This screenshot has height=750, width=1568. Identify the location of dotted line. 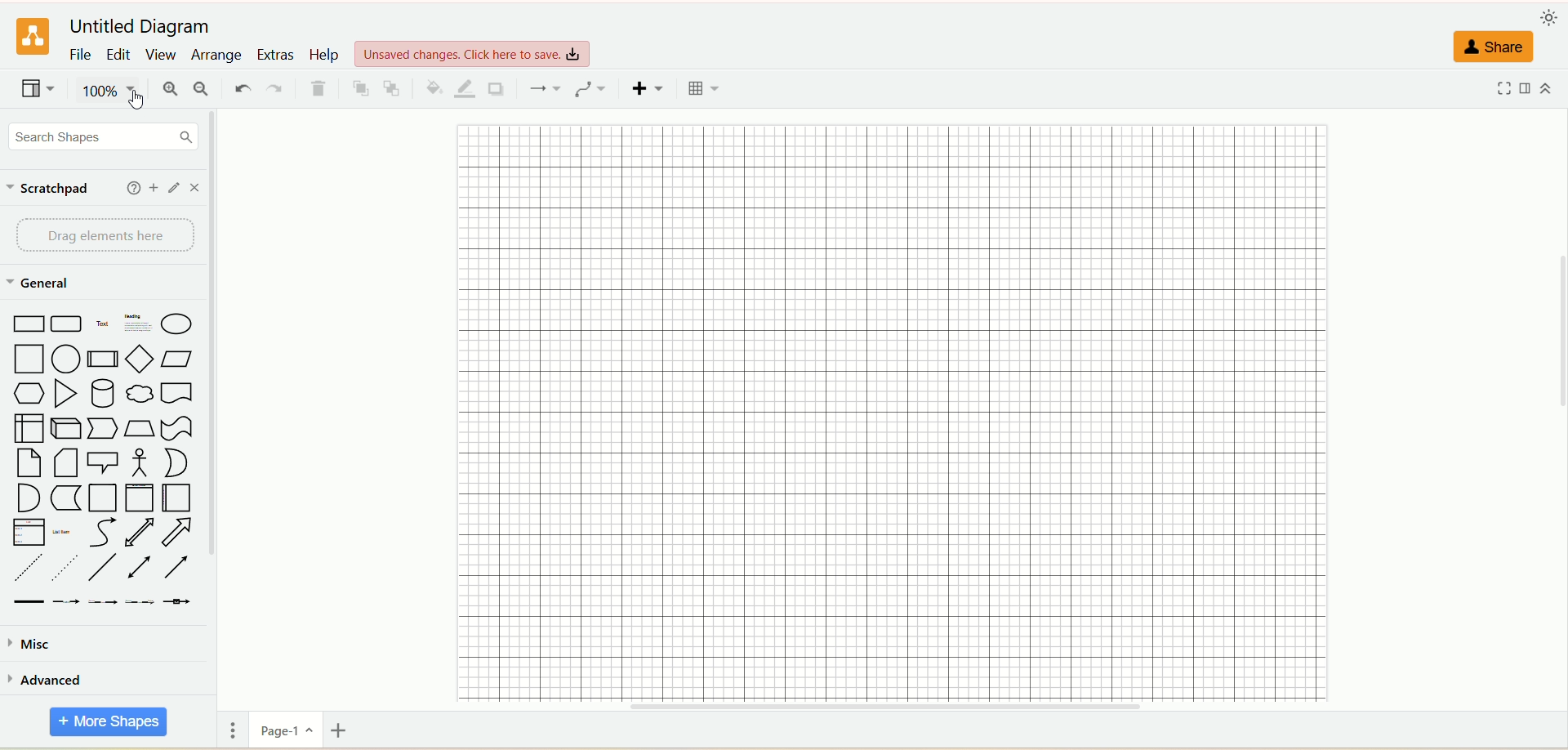
(65, 568).